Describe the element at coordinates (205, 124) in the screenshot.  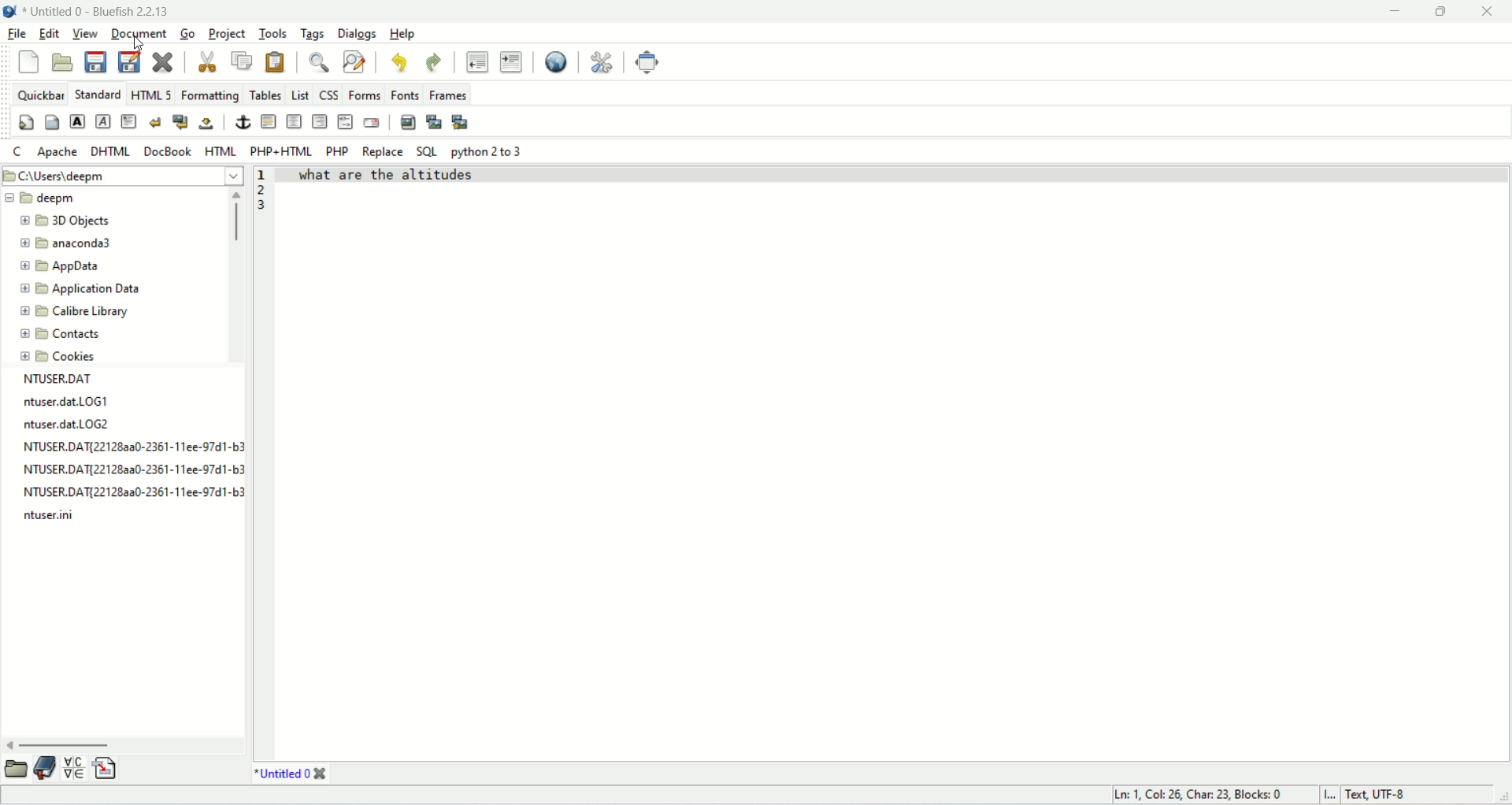
I see `non-breaking space` at that location.